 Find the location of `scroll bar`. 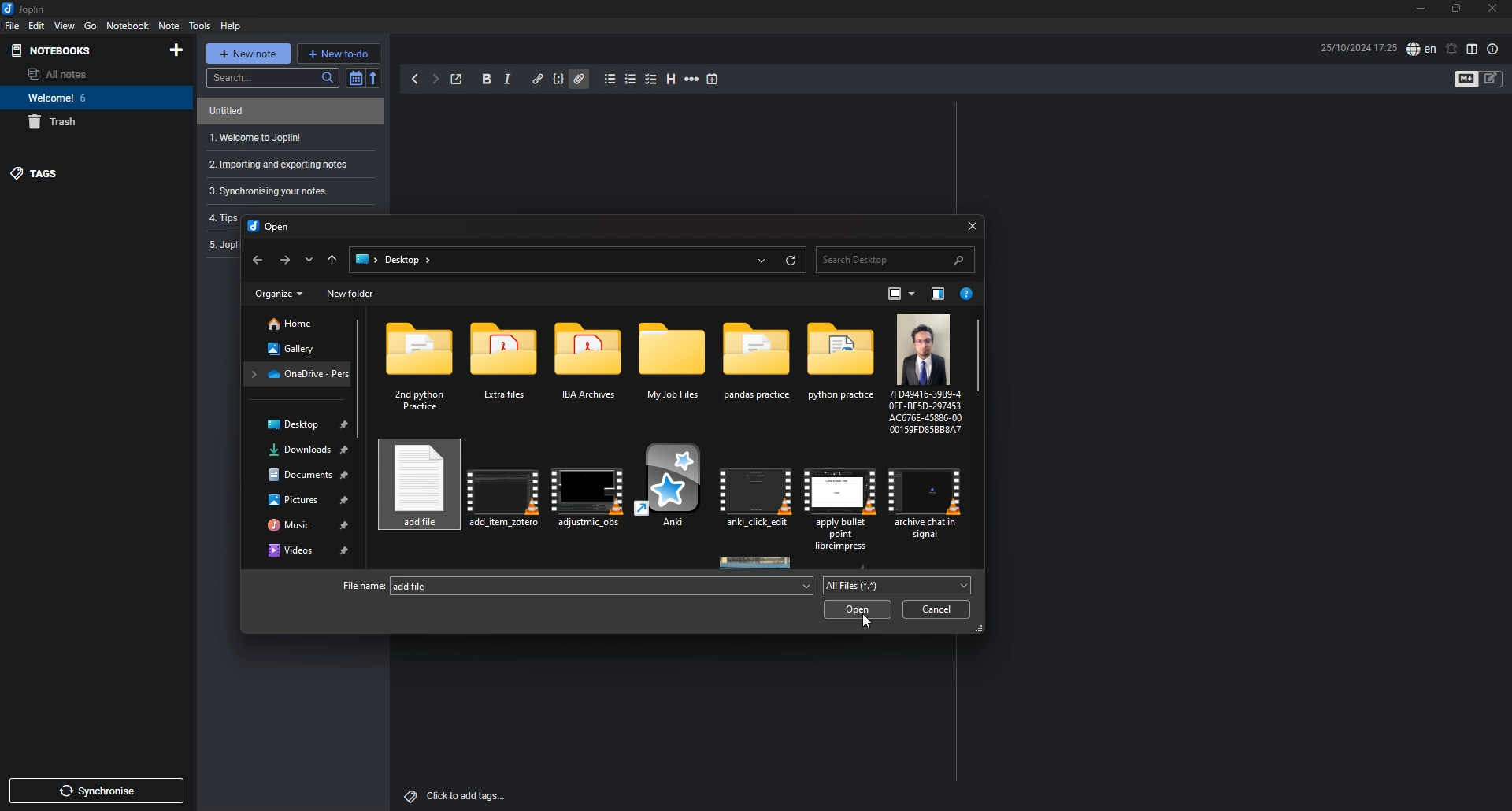

scroll bar is located at coordinates (360, 379).